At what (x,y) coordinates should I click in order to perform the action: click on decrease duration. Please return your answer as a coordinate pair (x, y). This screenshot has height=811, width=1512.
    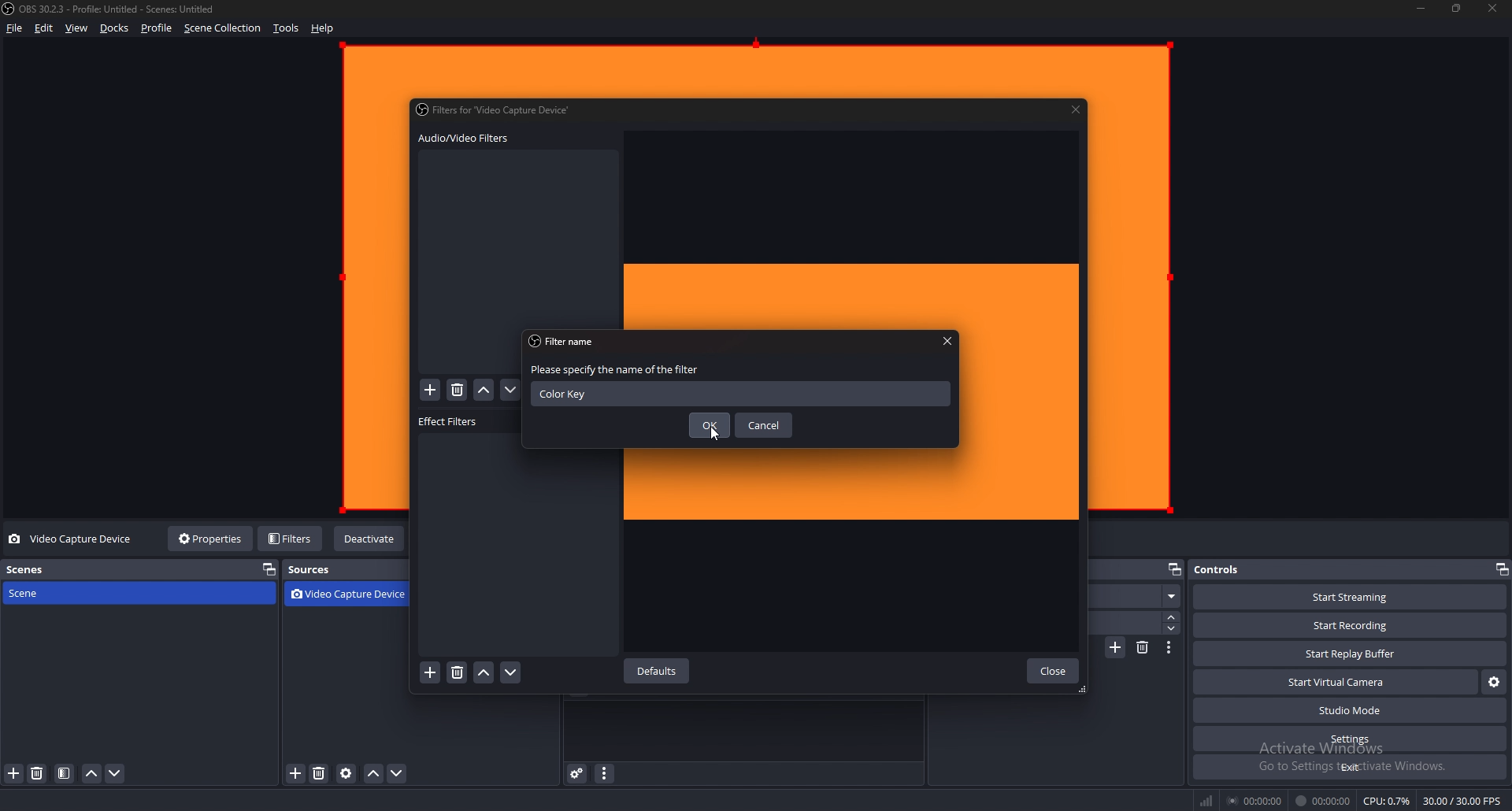
    Looking at the image, I should click on (1173, 628).